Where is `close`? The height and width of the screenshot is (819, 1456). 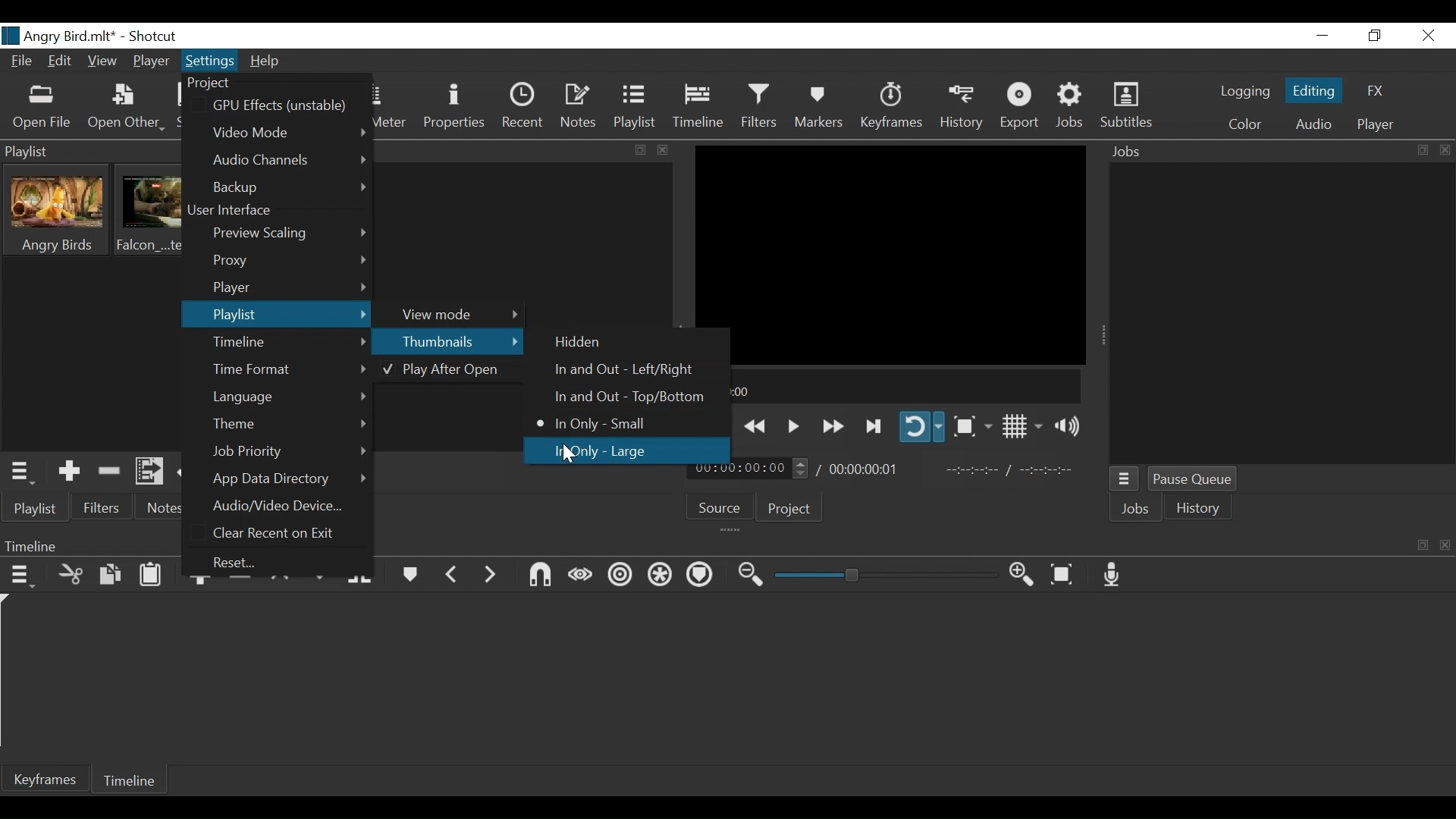 close is located at coordinates (1445, 542).